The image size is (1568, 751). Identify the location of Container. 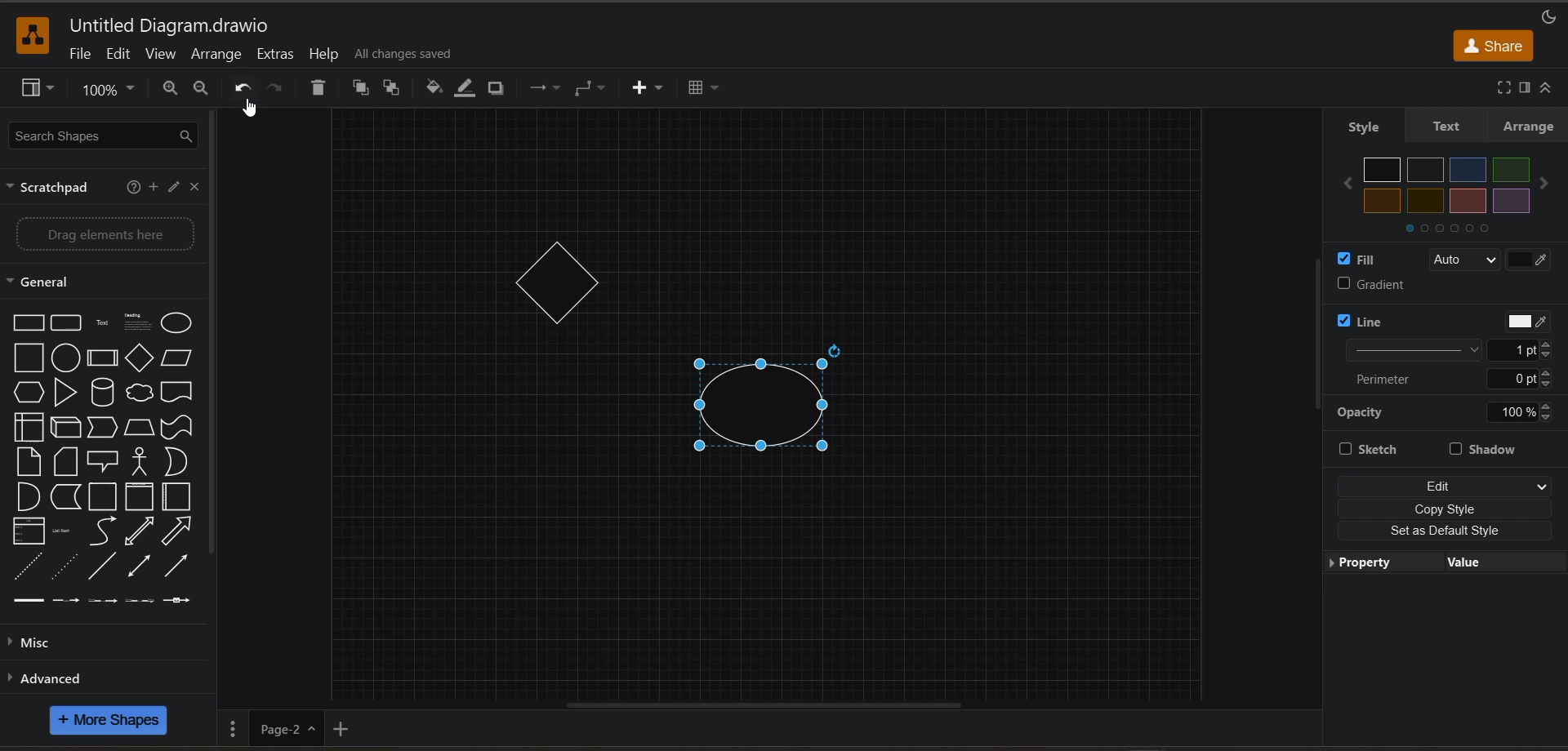
(104, 497).